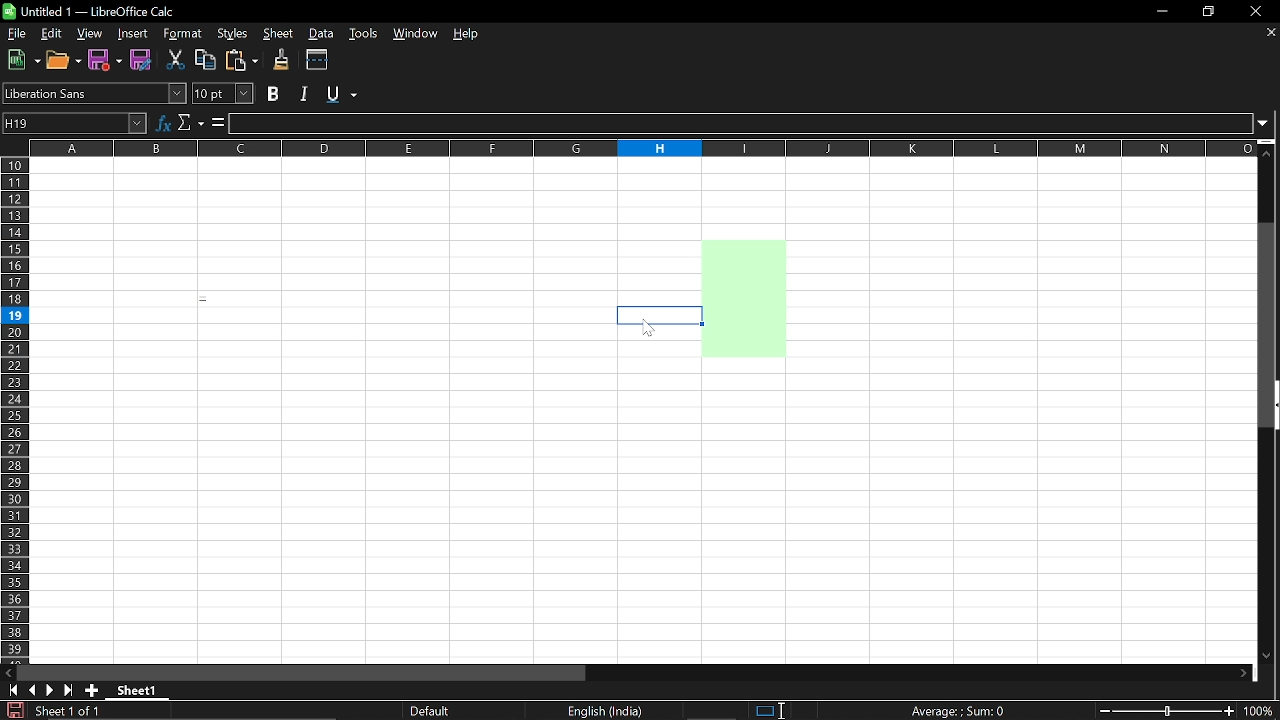  What do you see at coordinates (467, 36) in the screenshot?
I see `Help` at bounding box center [467, 36].